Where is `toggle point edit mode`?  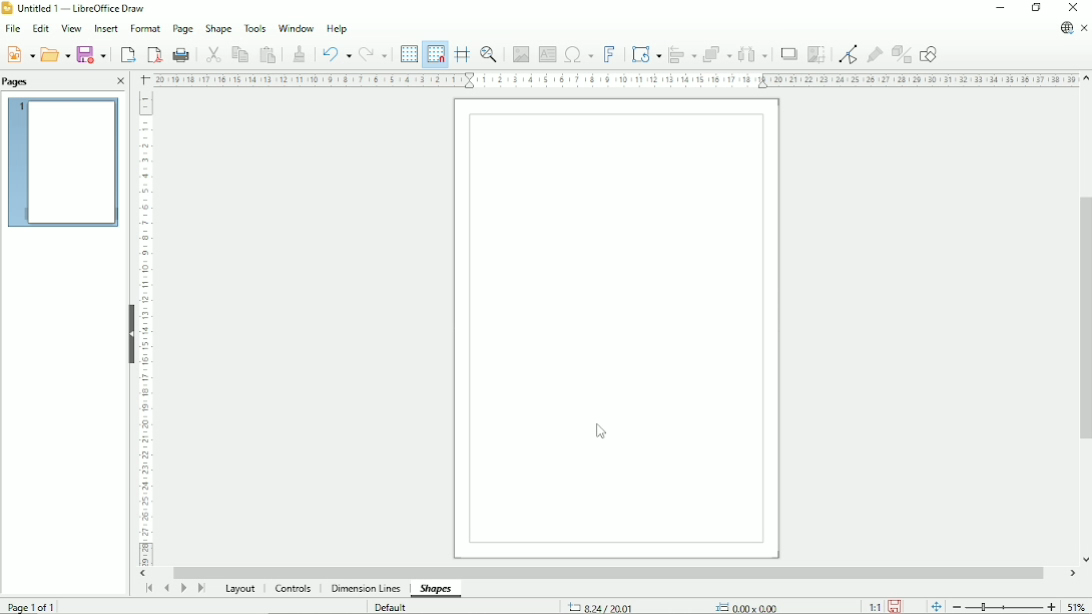
toggle point edit mode is located at coordinates (847, 54).